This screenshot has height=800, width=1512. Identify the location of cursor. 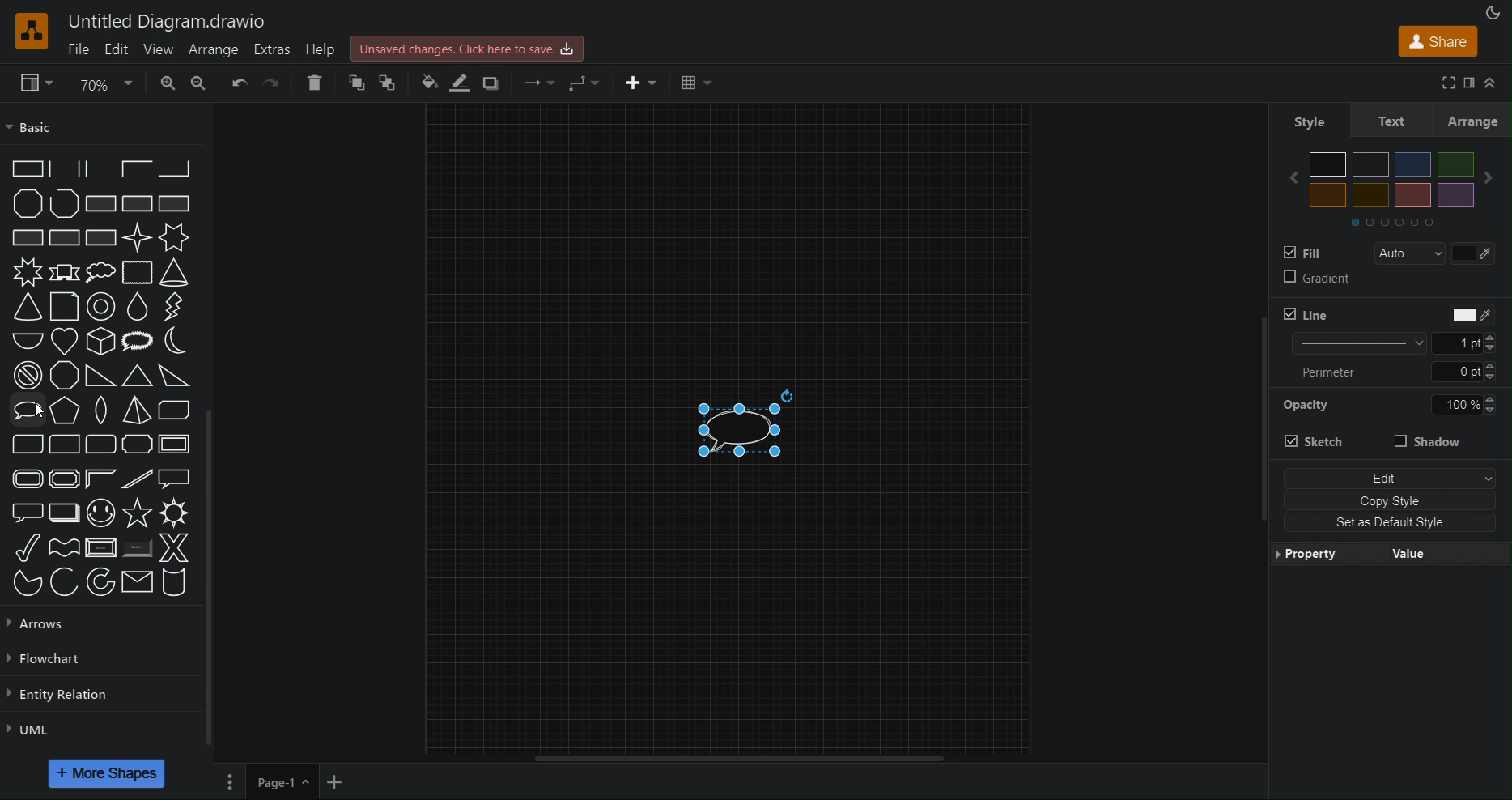
(40, 411).